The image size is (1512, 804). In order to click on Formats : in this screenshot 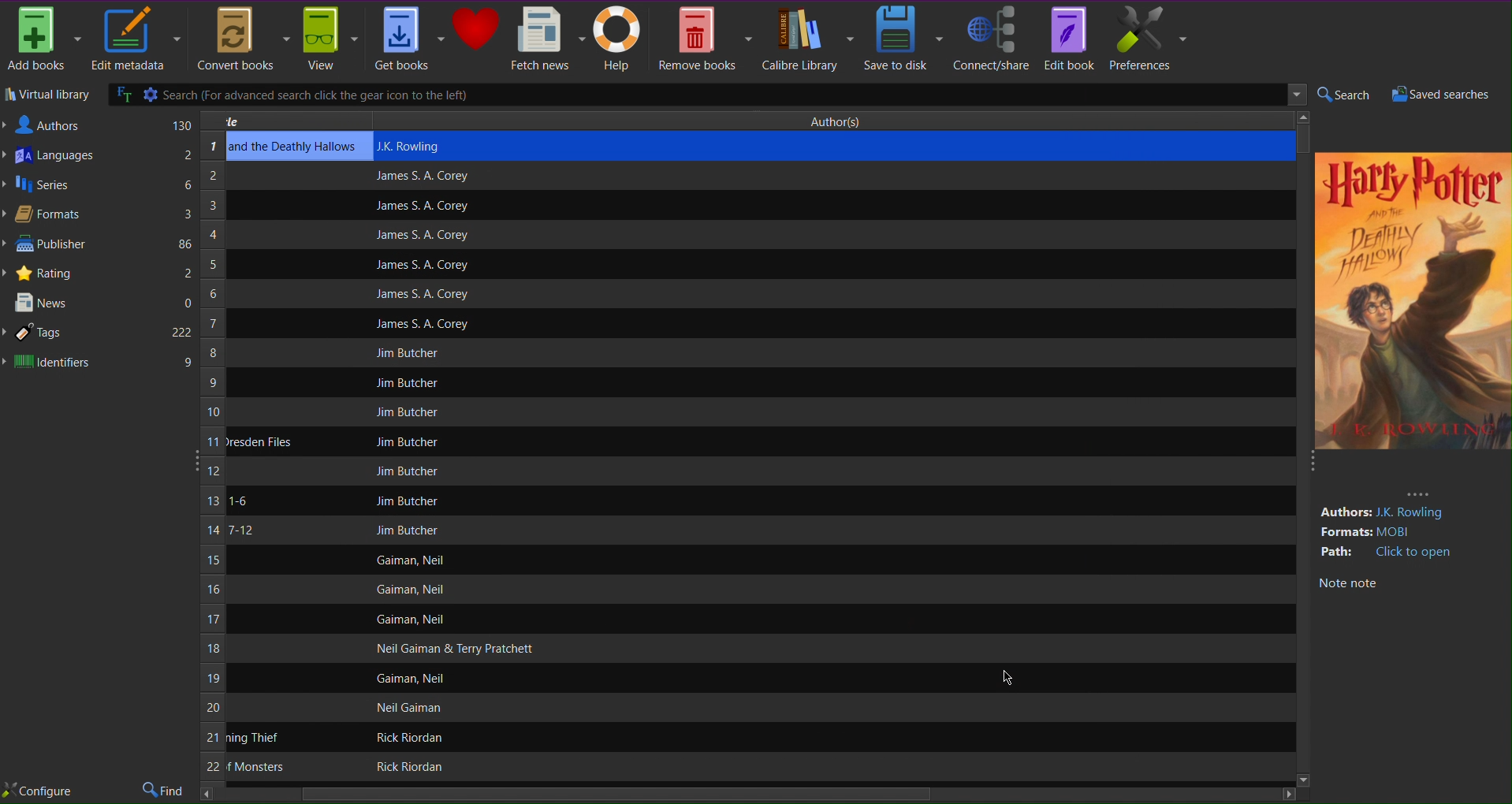, I will do `click(1345, 533)`.